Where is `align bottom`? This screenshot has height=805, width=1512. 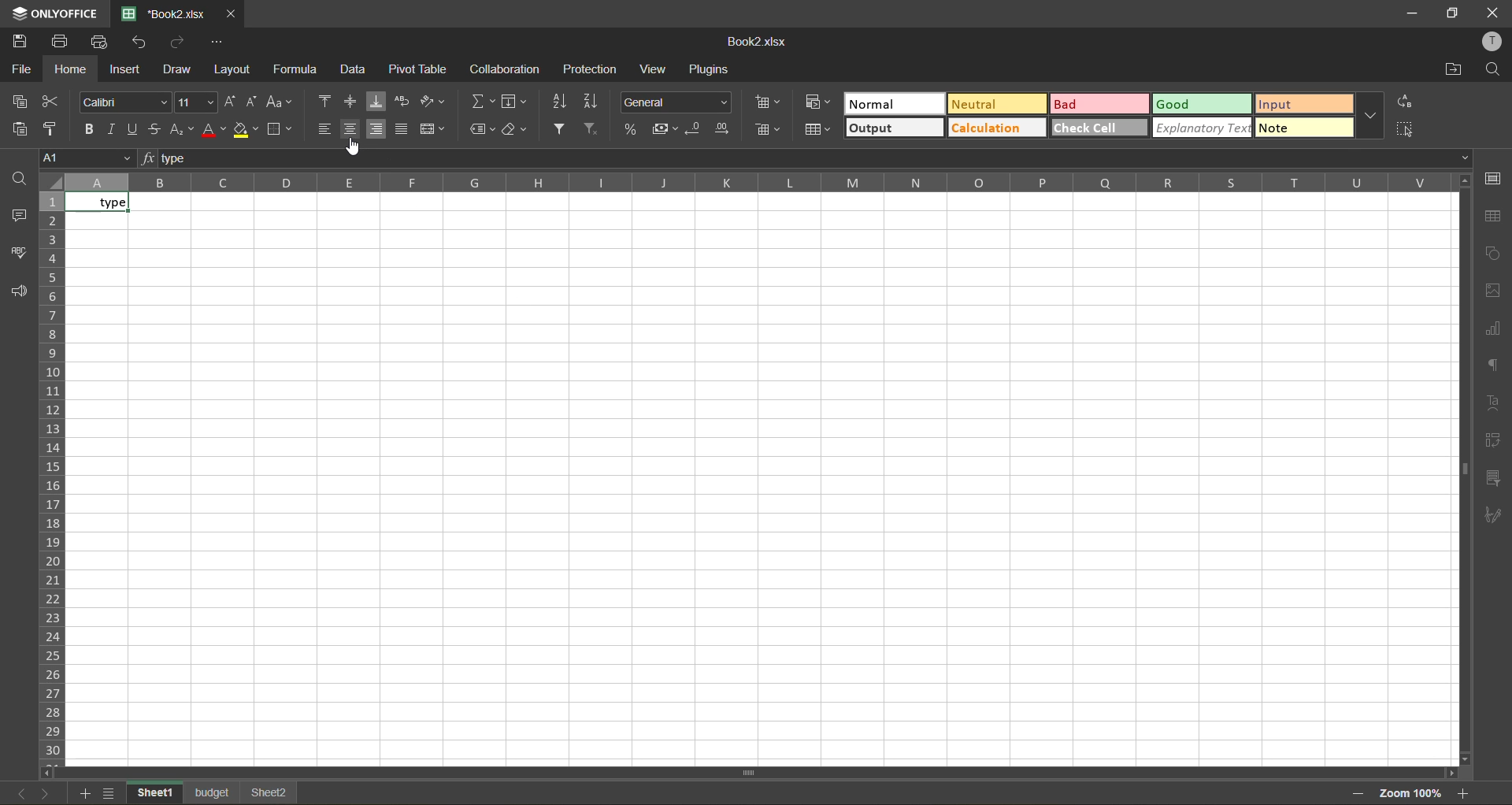 align bottom is located at coordinates (380, 98).